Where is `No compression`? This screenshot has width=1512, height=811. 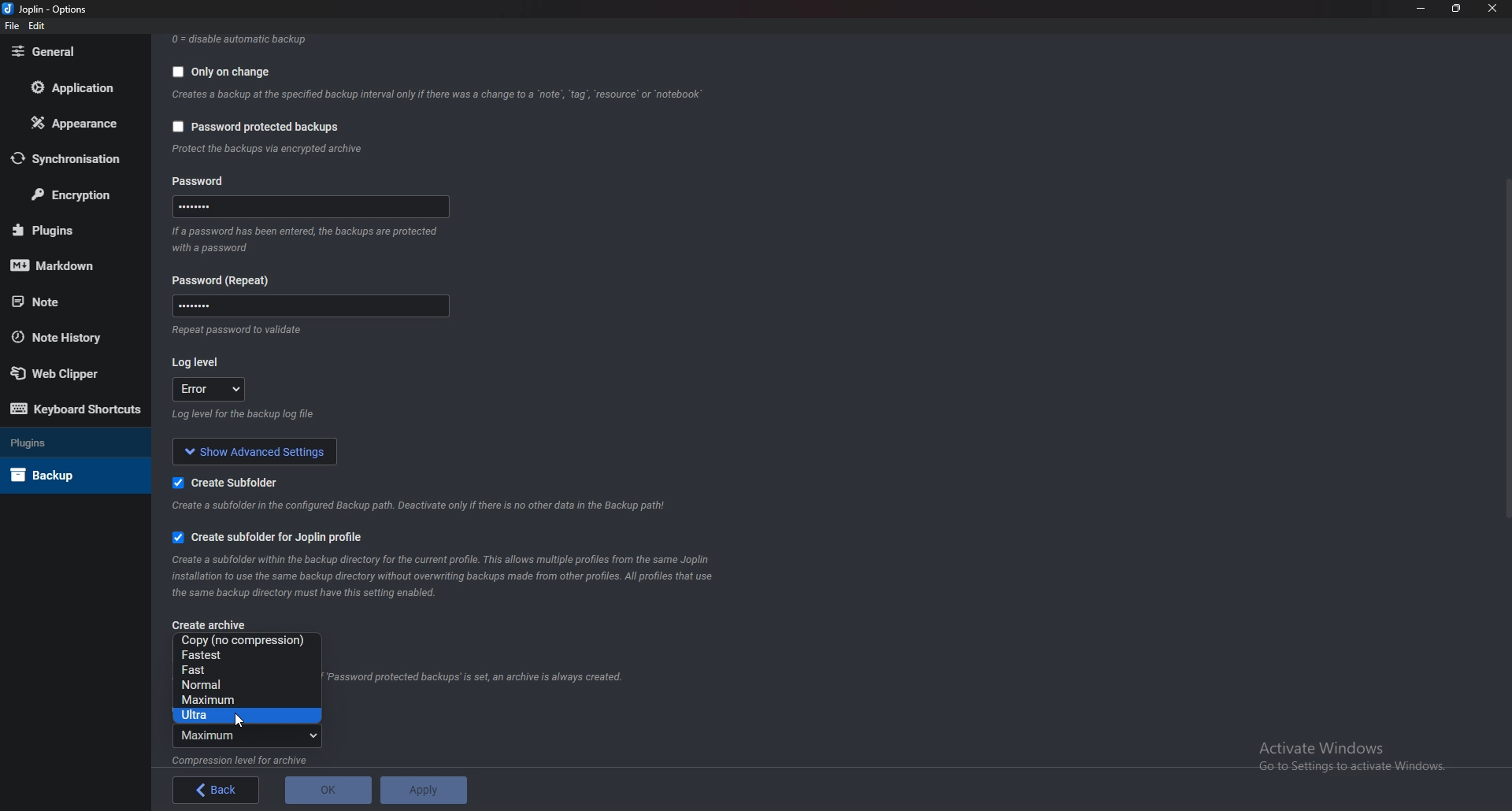
No compression is located at coordinates (252, 640).